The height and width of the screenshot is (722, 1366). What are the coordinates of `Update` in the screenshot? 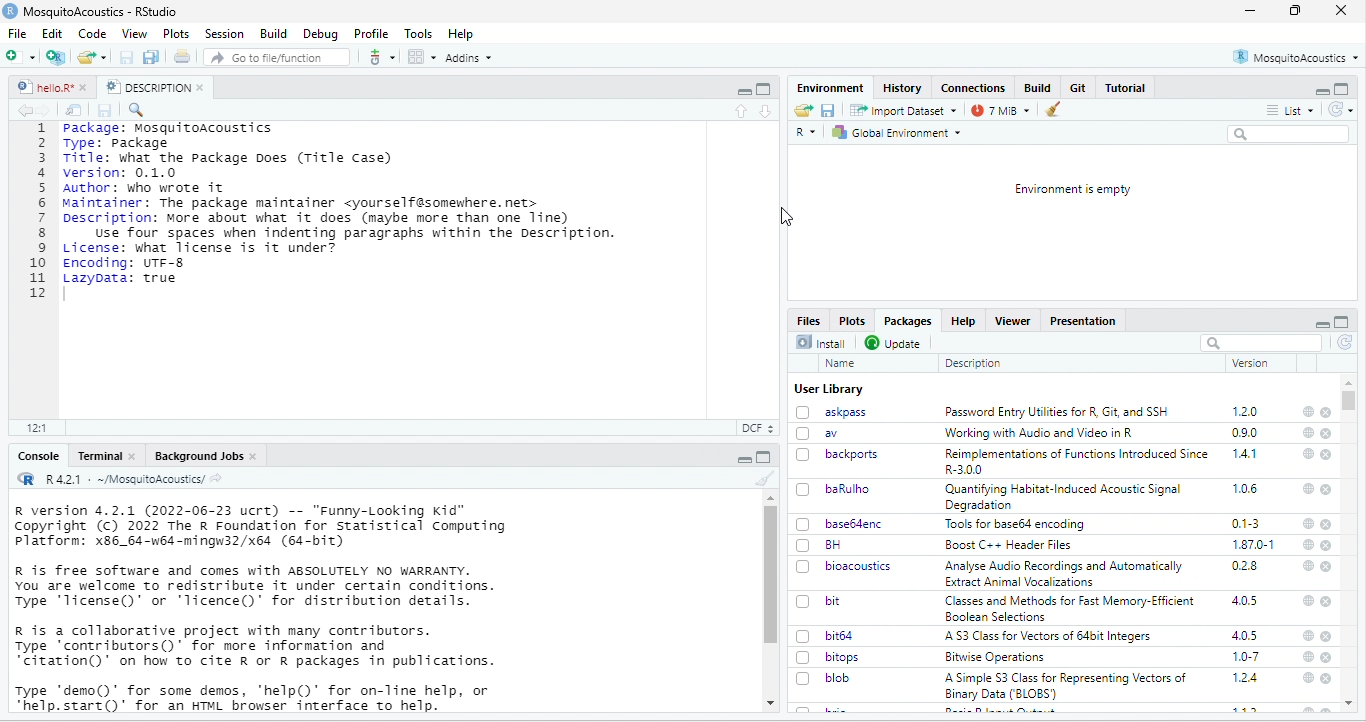 It's located at (894, 342).